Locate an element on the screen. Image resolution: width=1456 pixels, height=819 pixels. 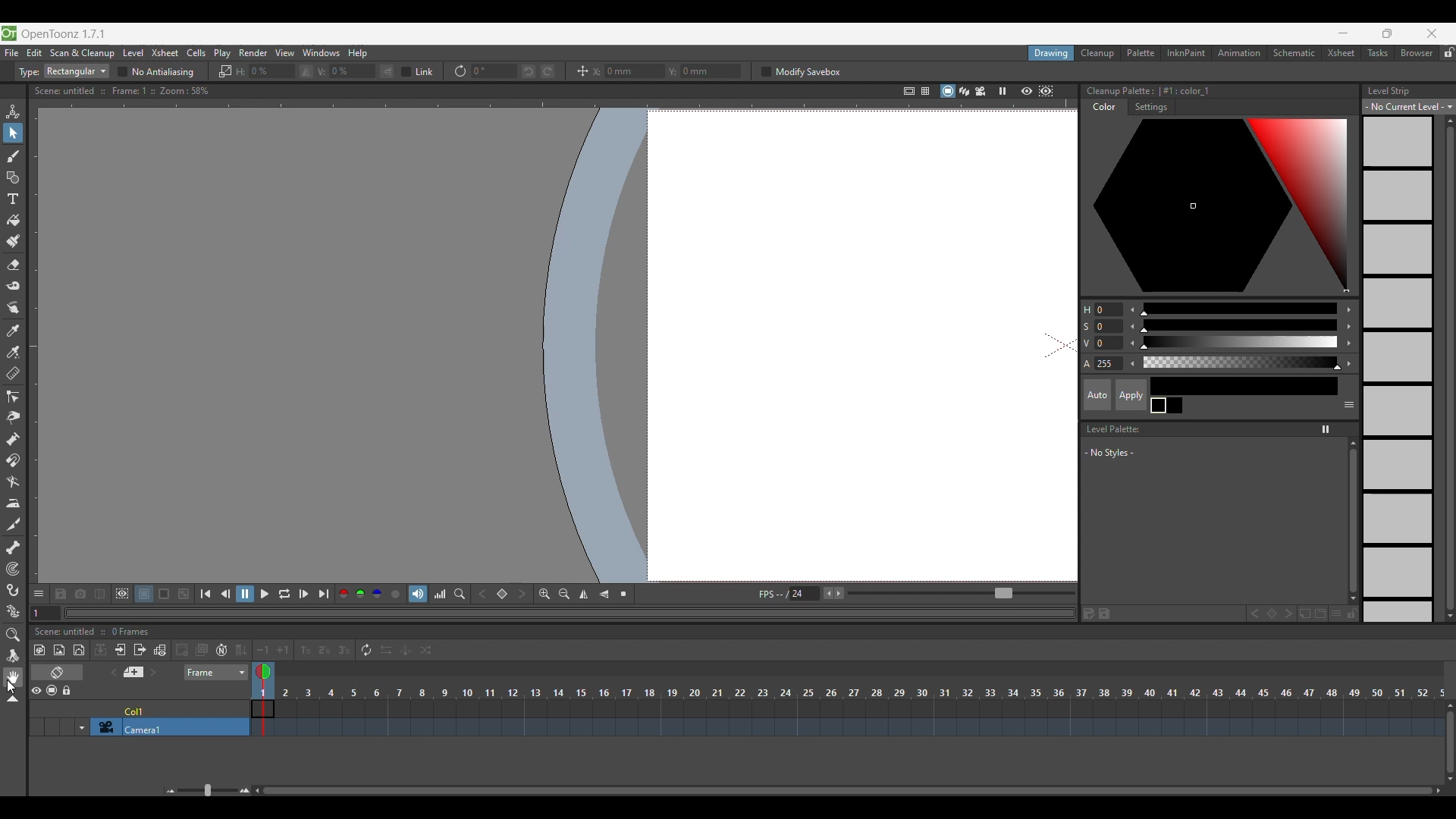
Preview visibility toggle all is located at coordinates (34, 689).